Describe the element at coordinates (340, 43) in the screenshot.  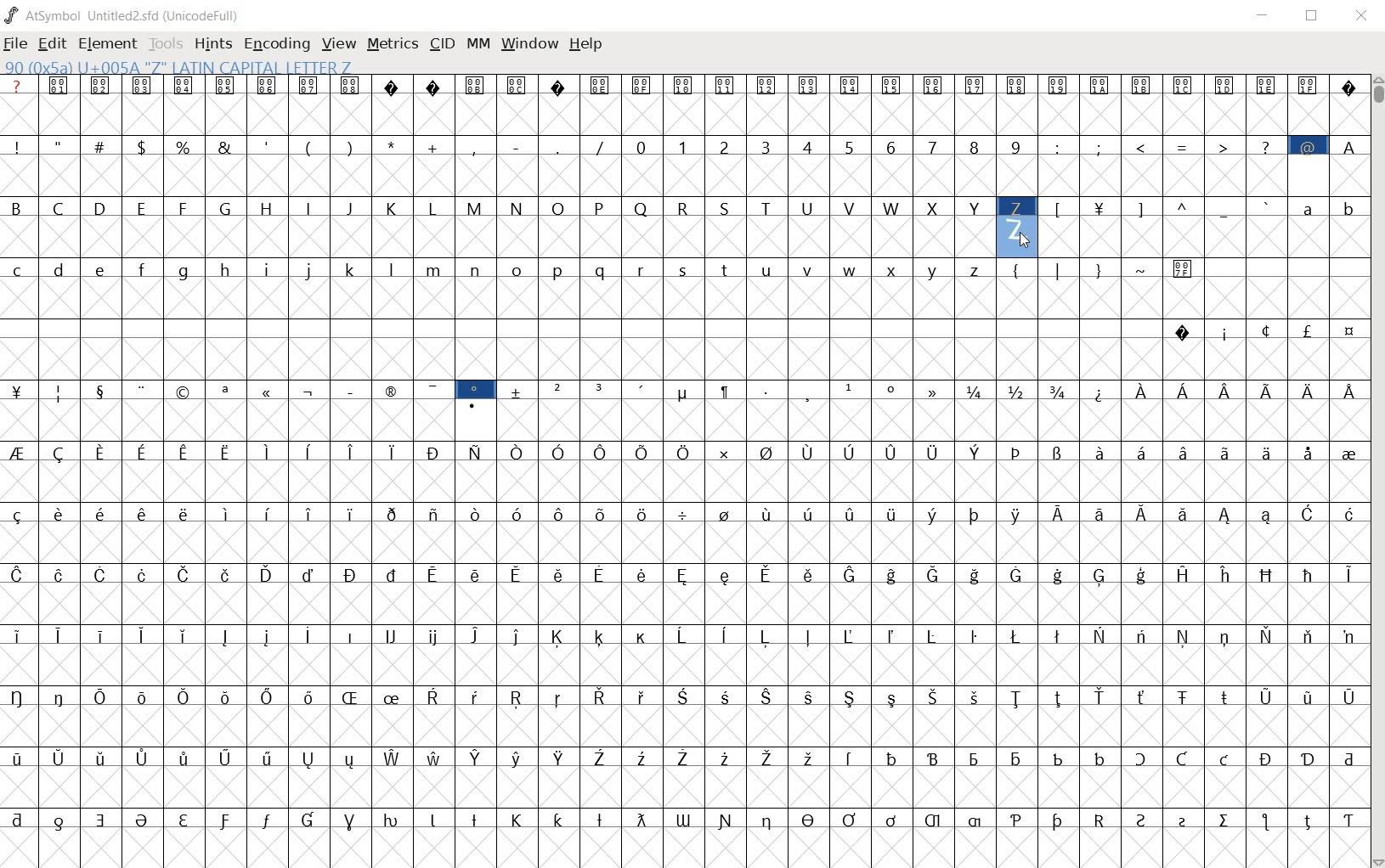
I see `view` at that location.